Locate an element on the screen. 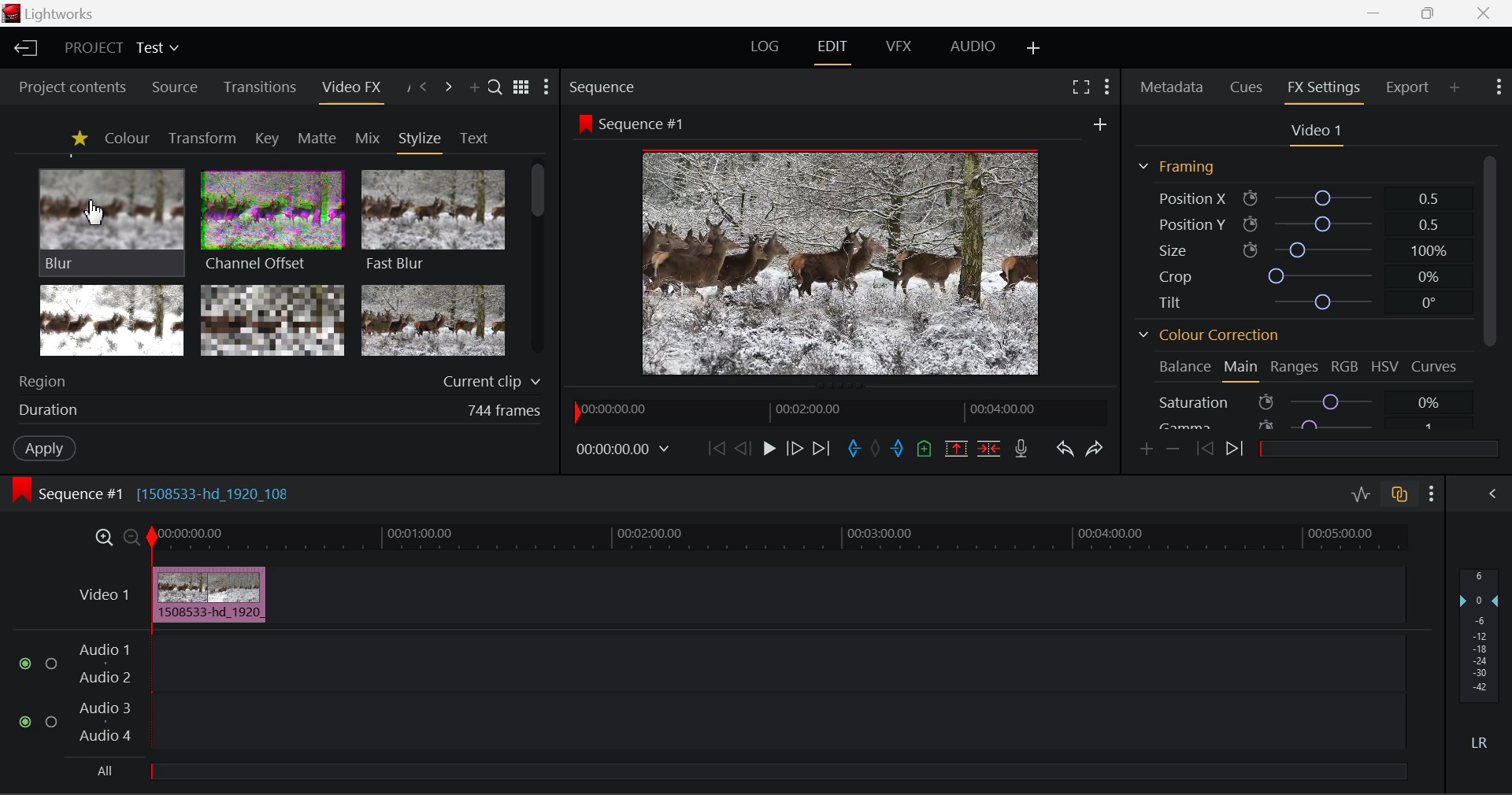  Fast Blur is located at coordinates (431, 218).